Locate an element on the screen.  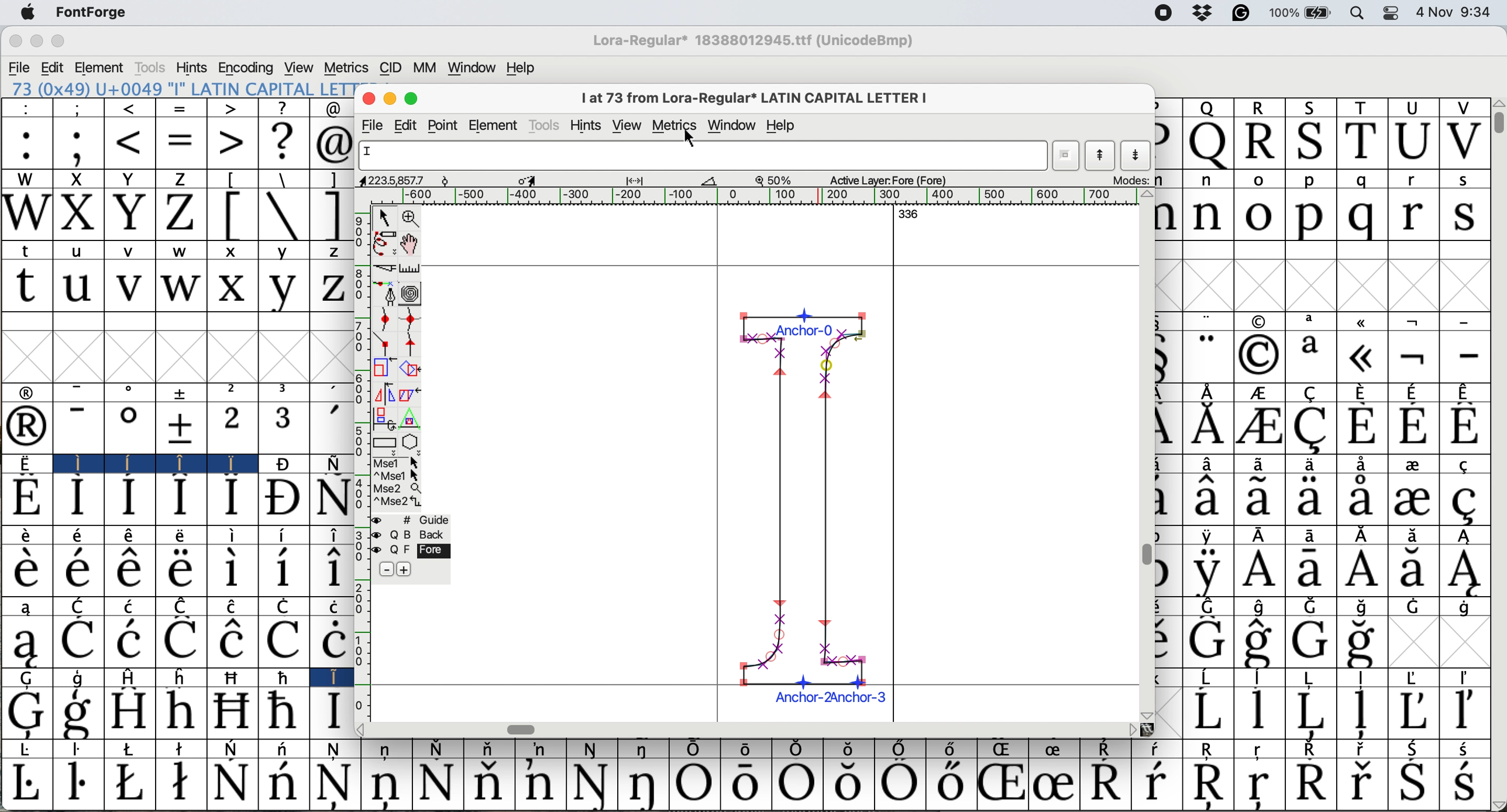
Symbol is located at coordinates (745, 749).